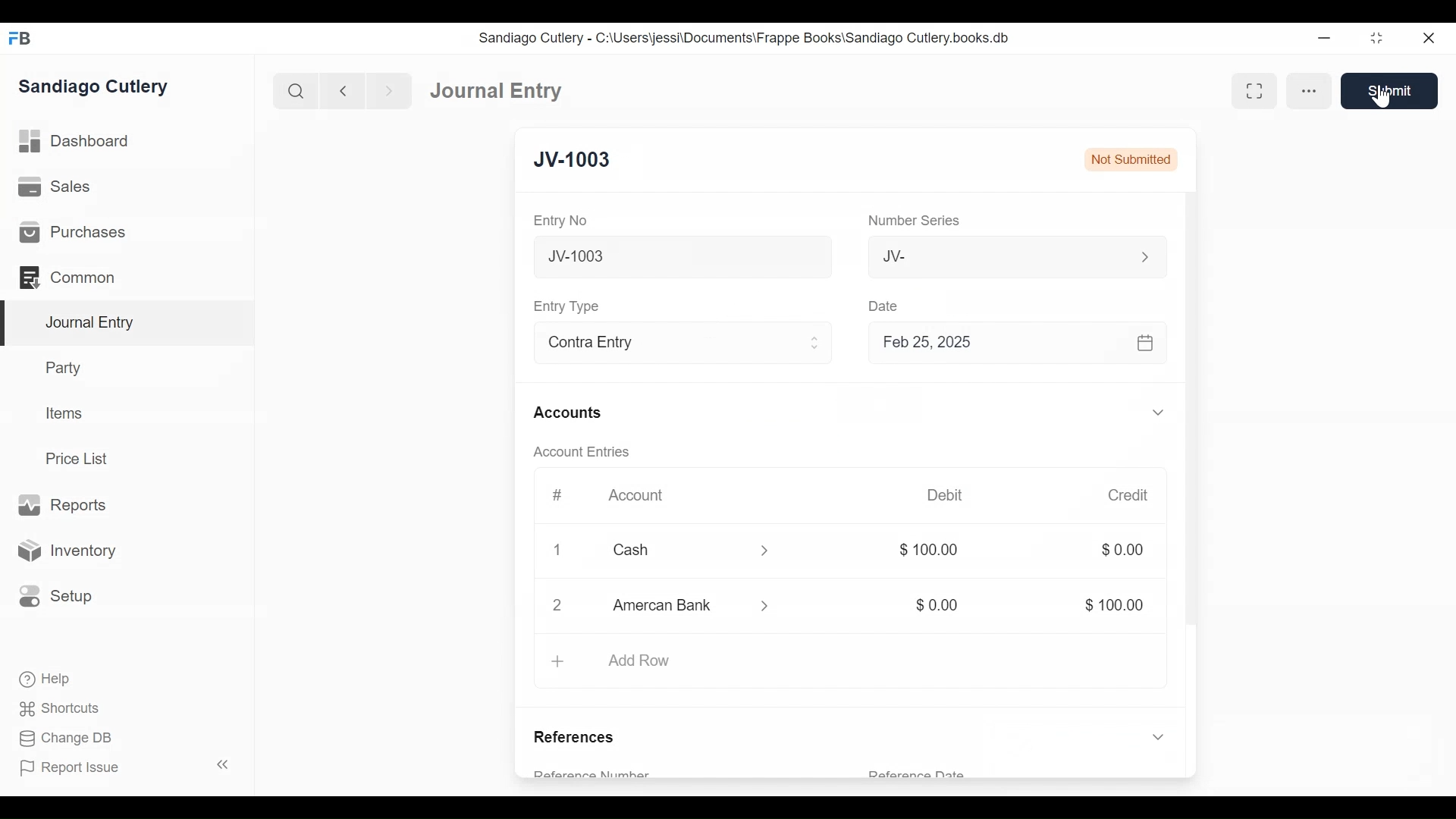 This screenshot has width=1456, height=819. Describe the element at coordinates (66, 415) in the screenshot. I see `Items` at that location.